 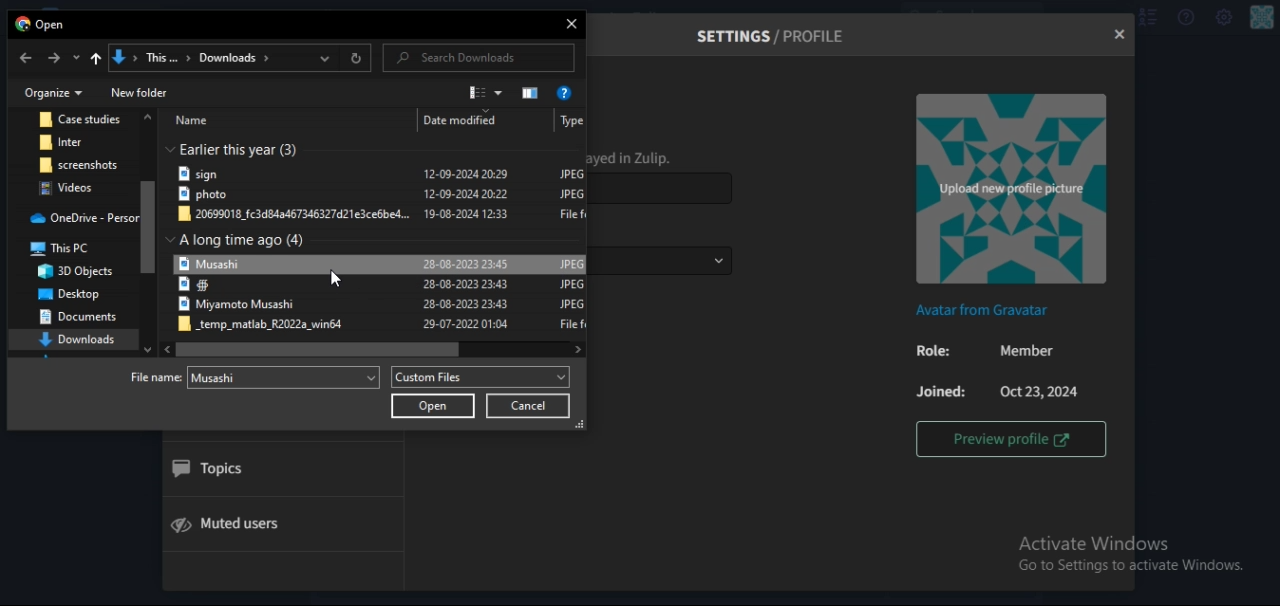 What do you see at coordinates (337, 277) in the screenshot?
I see `cursor` at bounding box center [337, 277].